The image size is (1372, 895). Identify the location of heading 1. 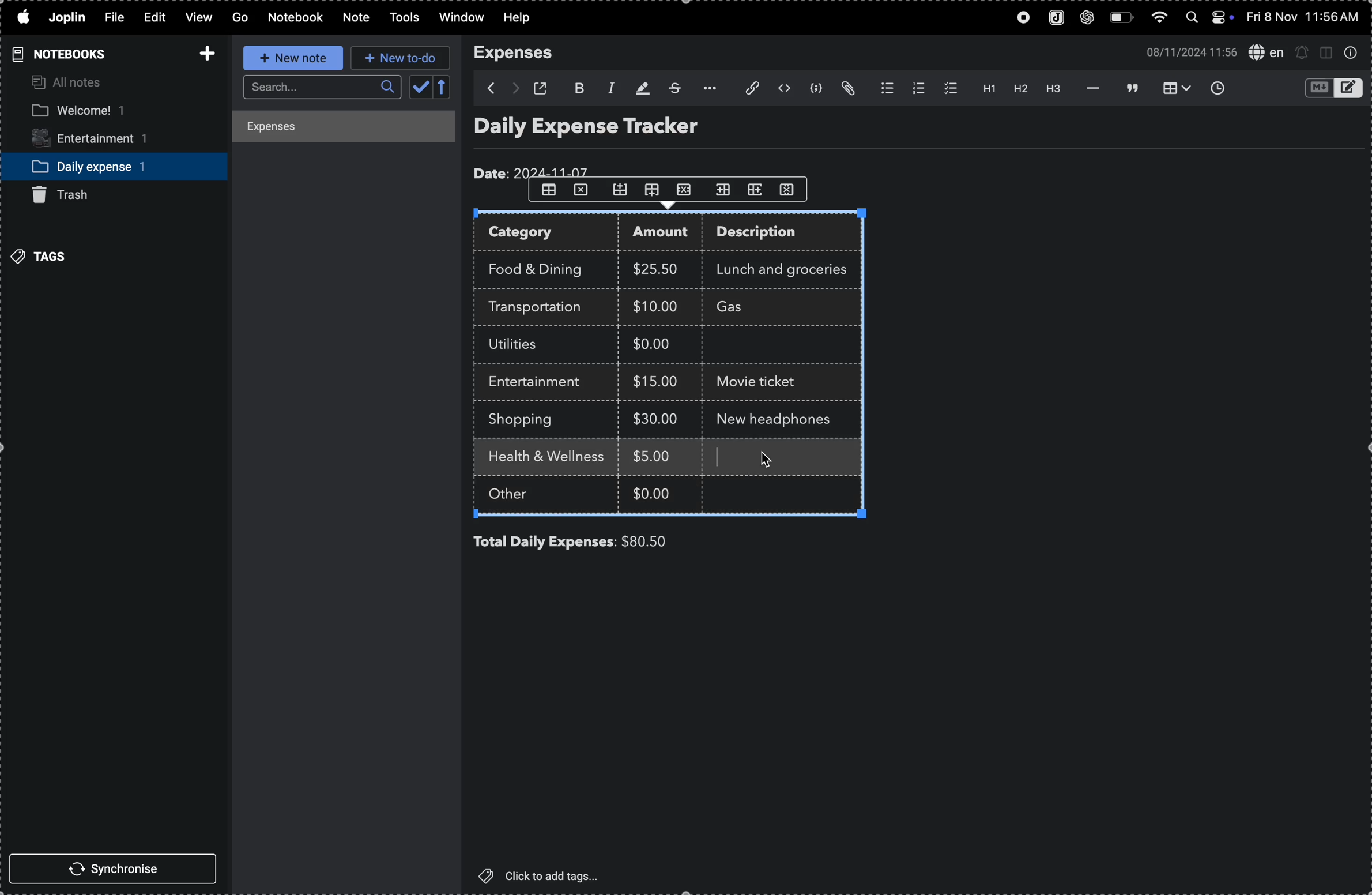
(984, 89).